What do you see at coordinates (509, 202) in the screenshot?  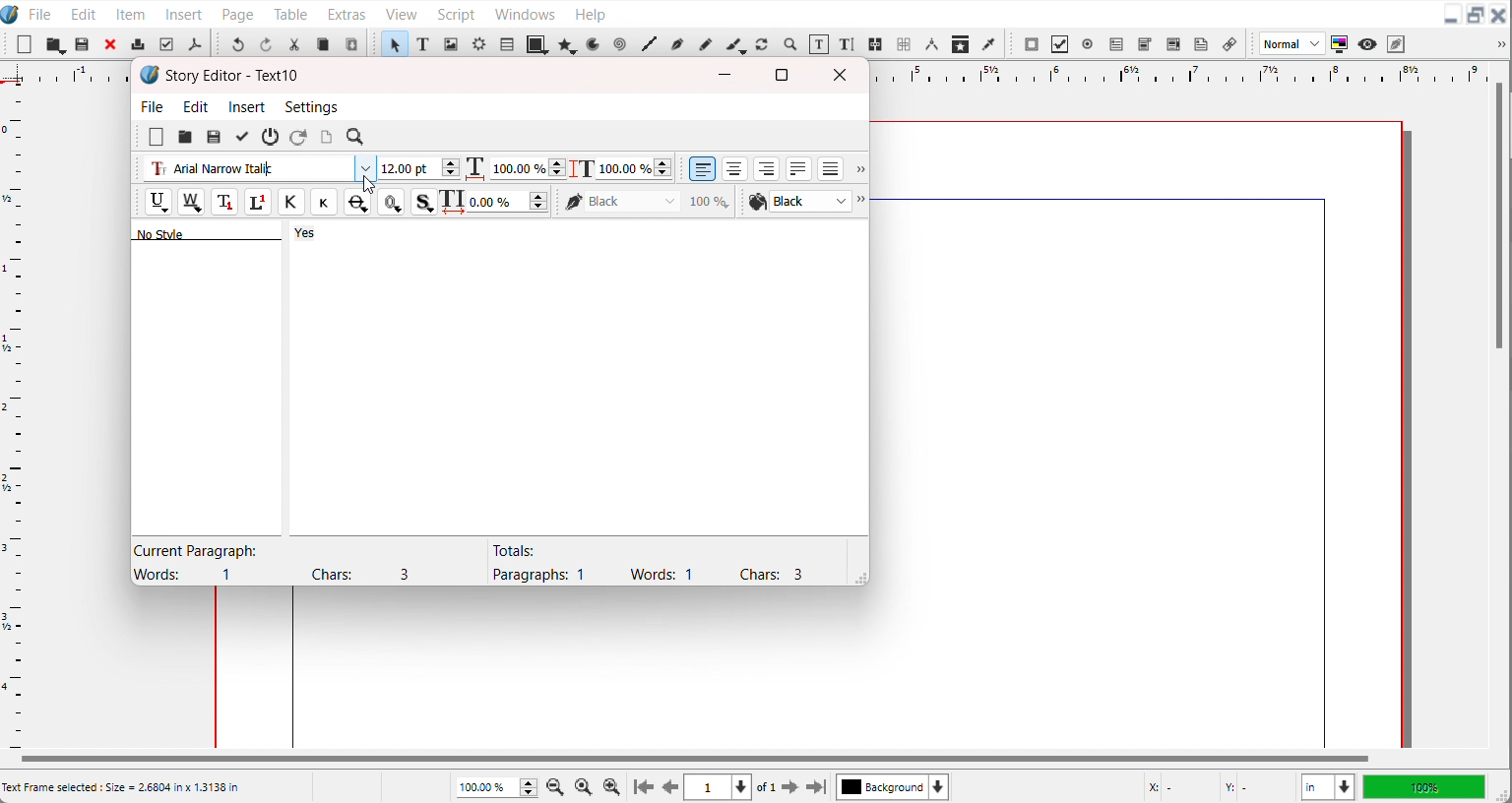 I see `Text Width adjuster` at bounding box center [509, 202].